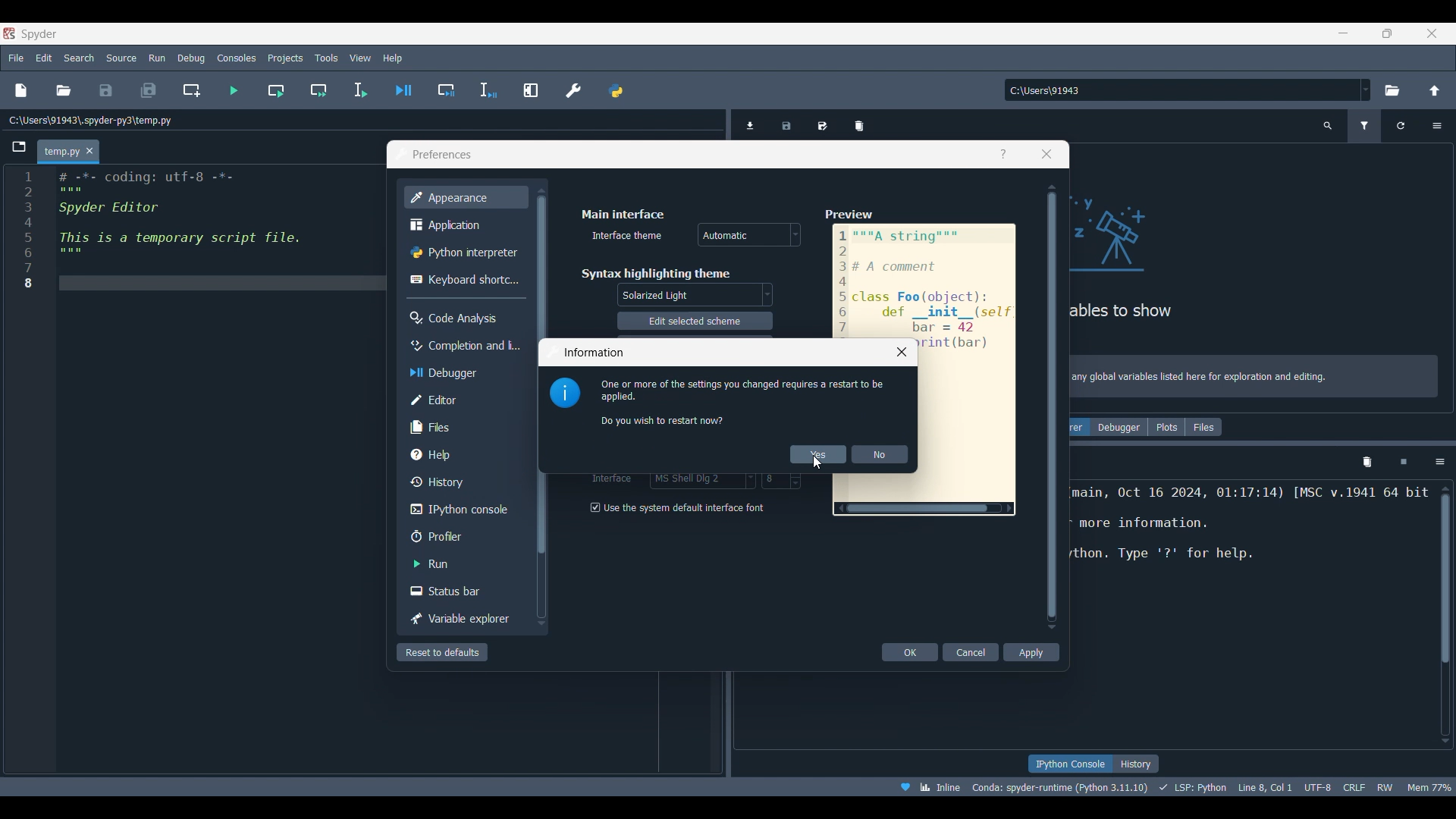 This screenshot has width=1456, height=819. I want to click on New file, so click(21, 90).